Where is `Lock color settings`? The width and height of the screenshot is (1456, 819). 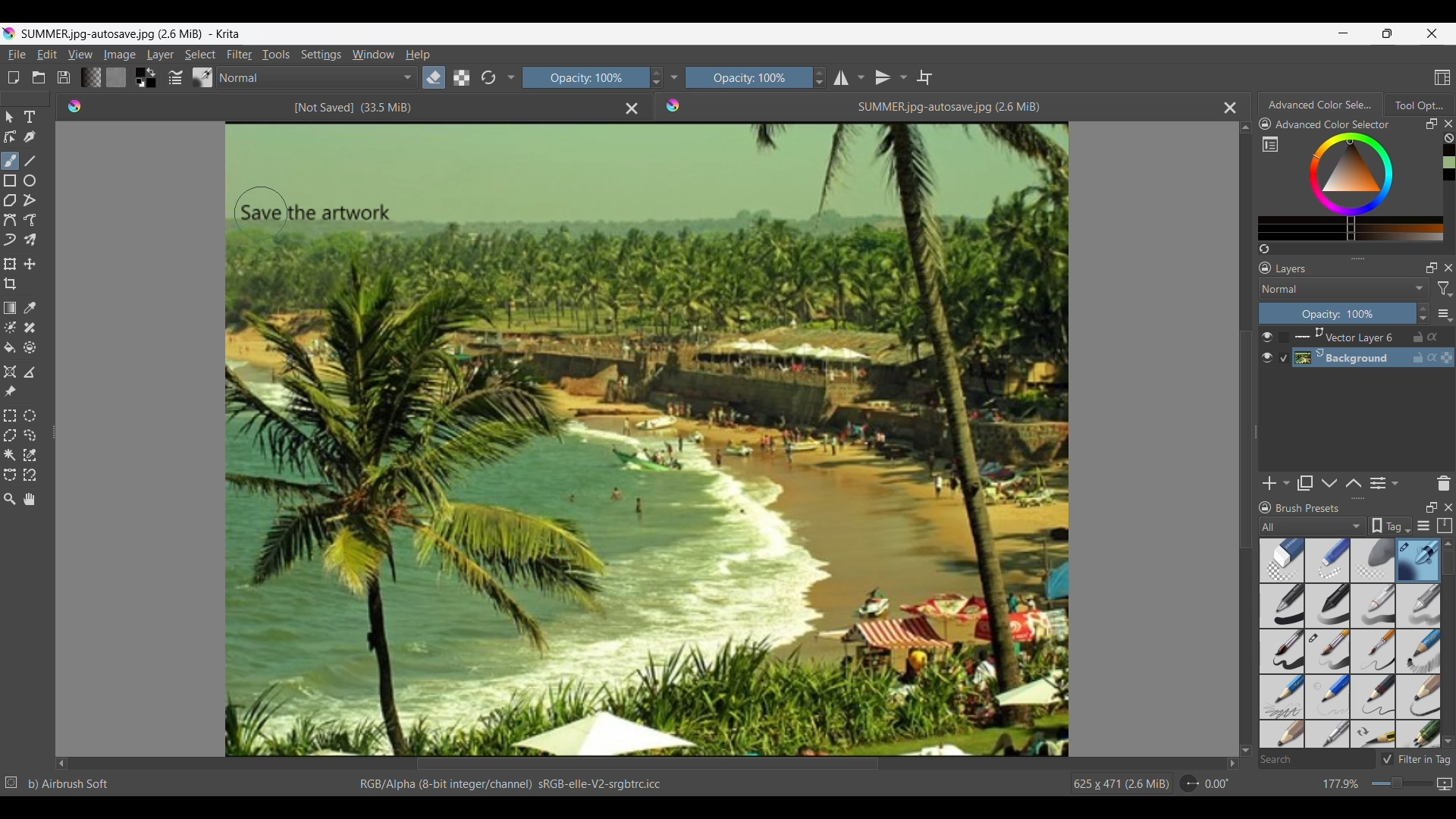 Lock color settings is located at coordinates (1266, 124).